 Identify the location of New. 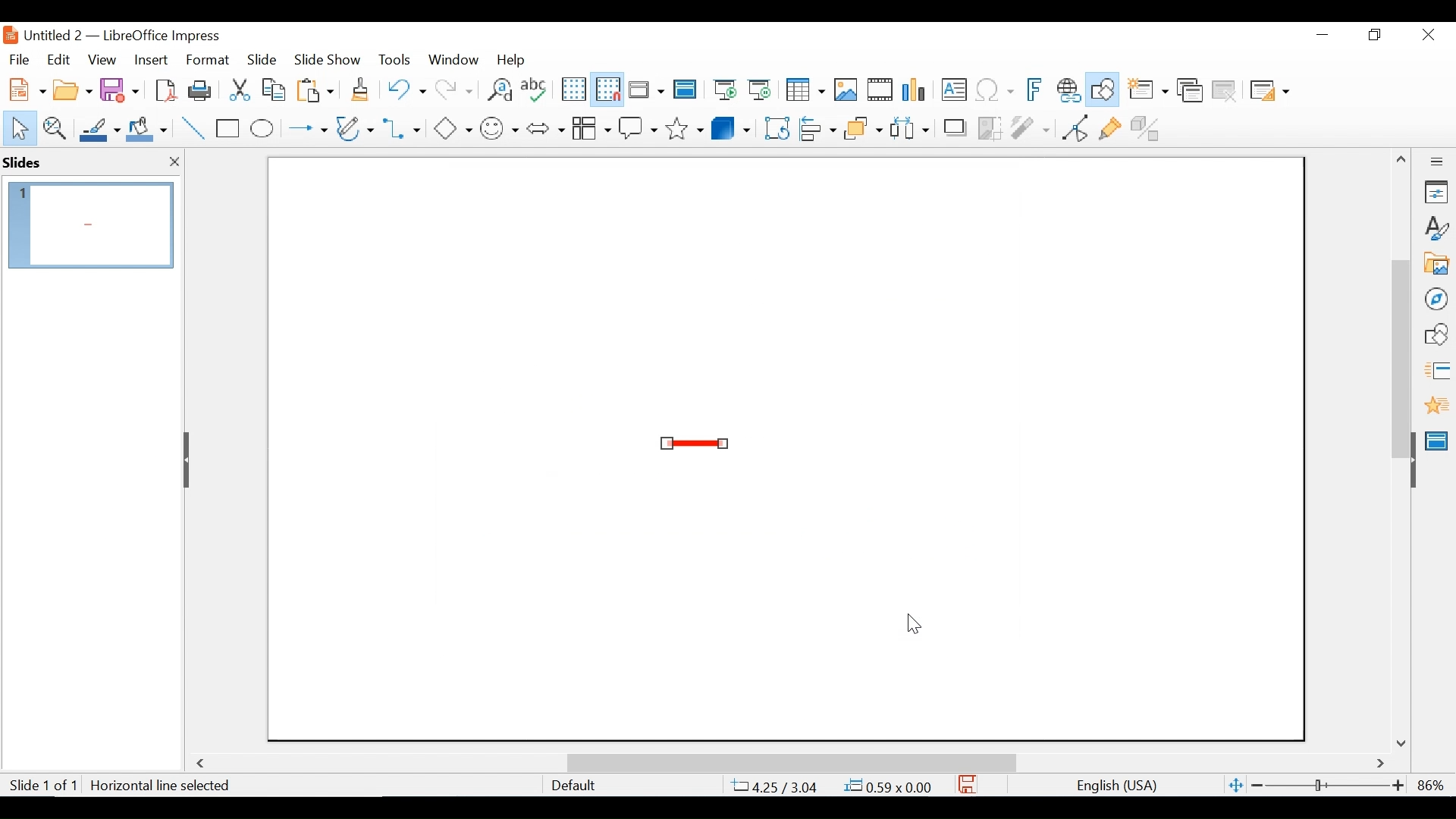
(24, 88).